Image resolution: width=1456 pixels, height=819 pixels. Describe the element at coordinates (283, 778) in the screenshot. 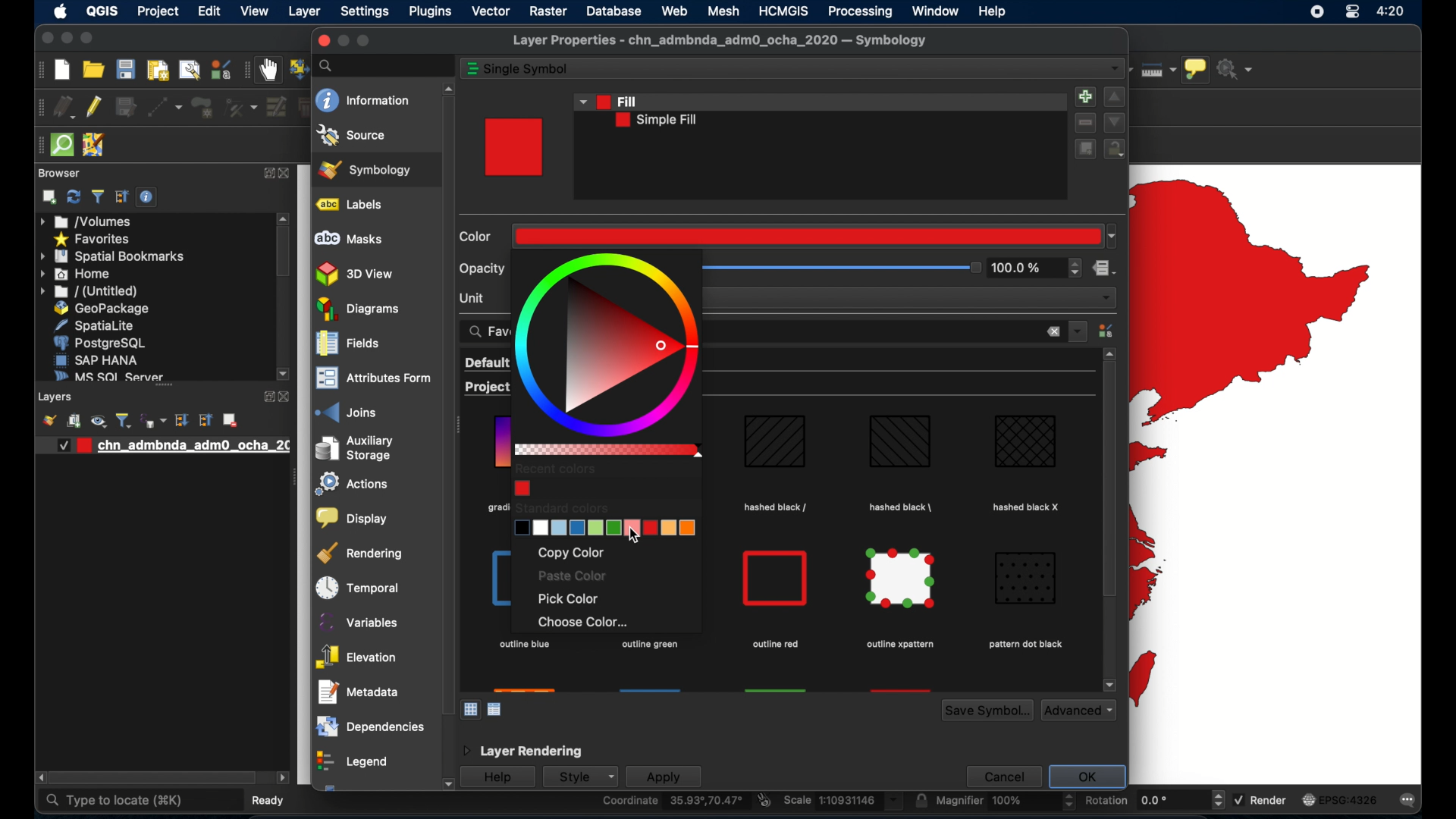

I see `scroll left arrow` at that location.